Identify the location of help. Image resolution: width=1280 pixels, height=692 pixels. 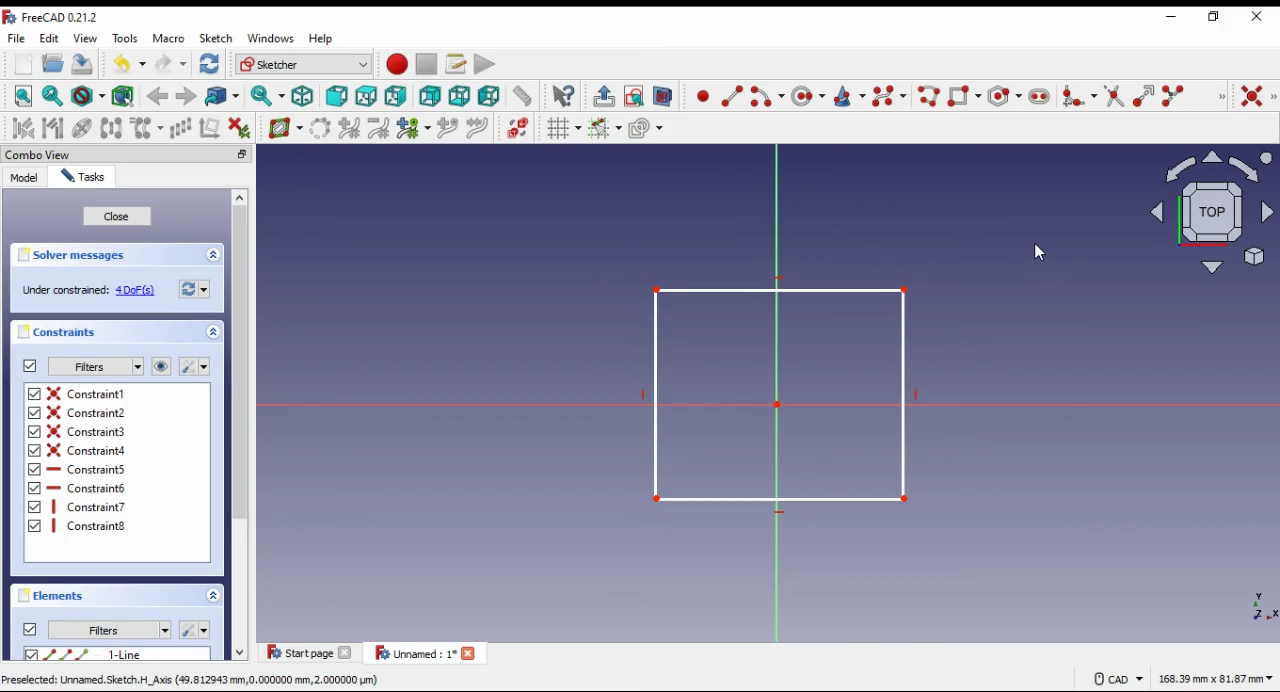
(322, 39).